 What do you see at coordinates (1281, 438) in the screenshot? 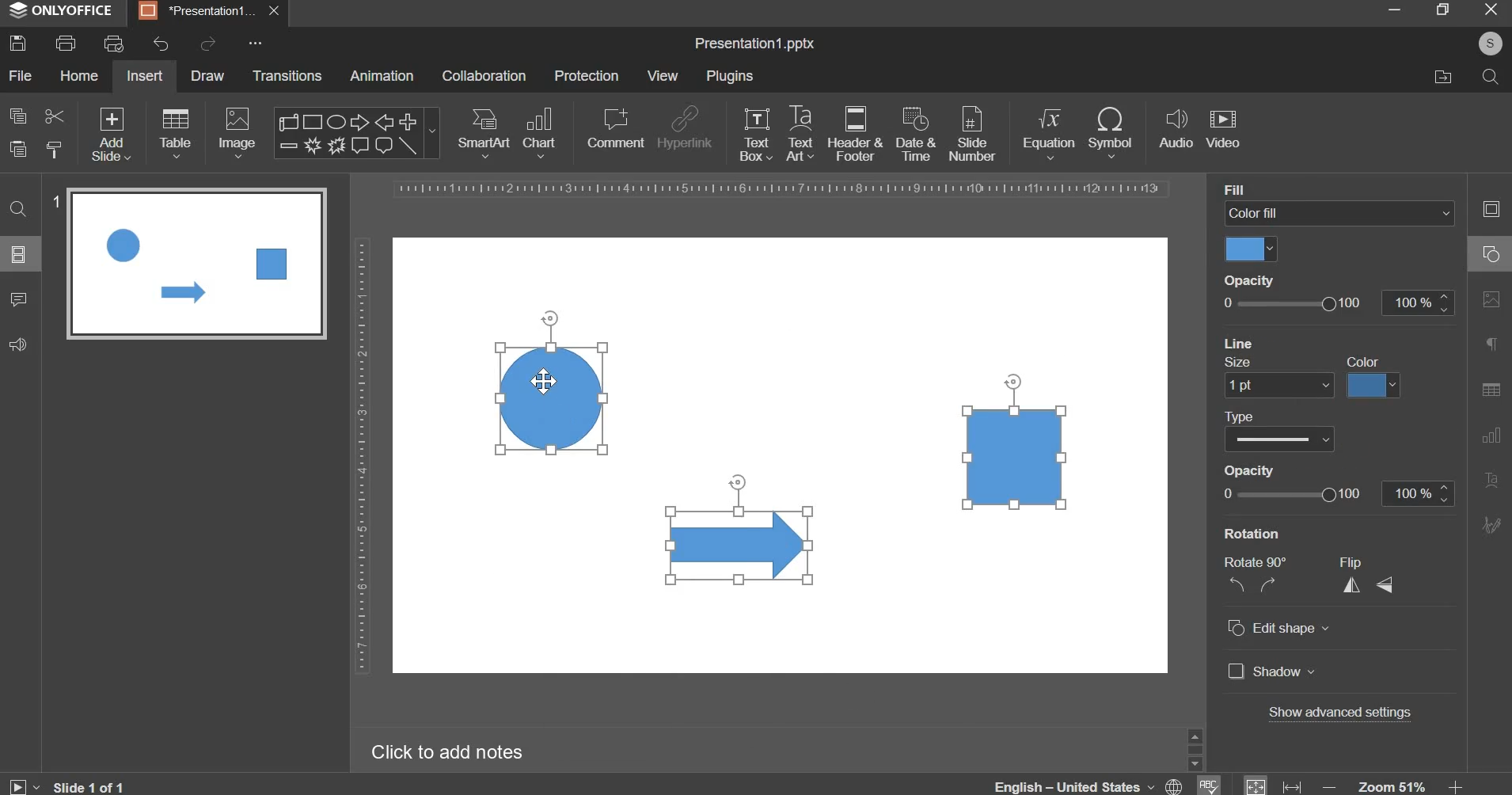
I see `line type` at bounding box center [1281, 438].